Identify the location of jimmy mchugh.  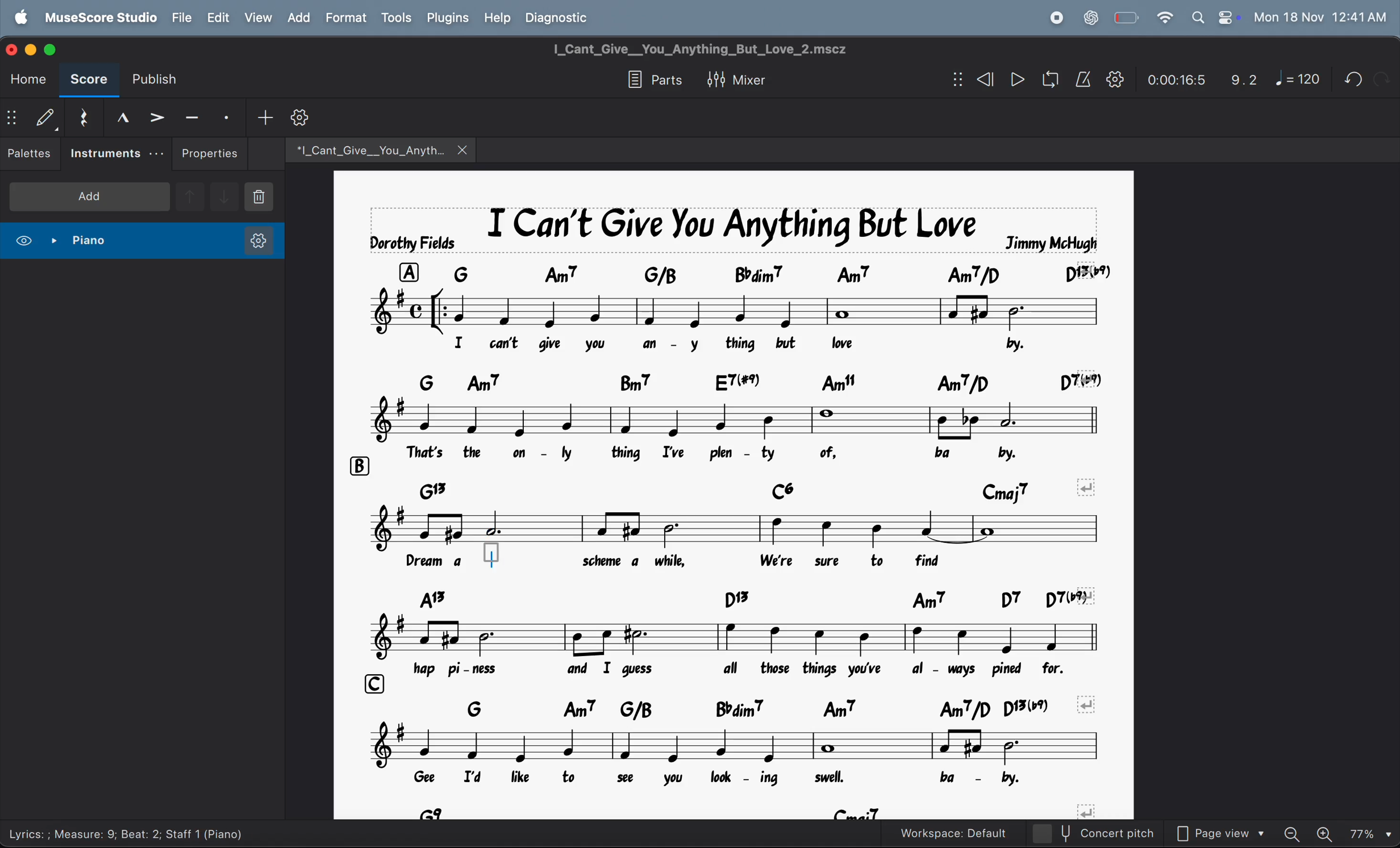
(1054, 241).